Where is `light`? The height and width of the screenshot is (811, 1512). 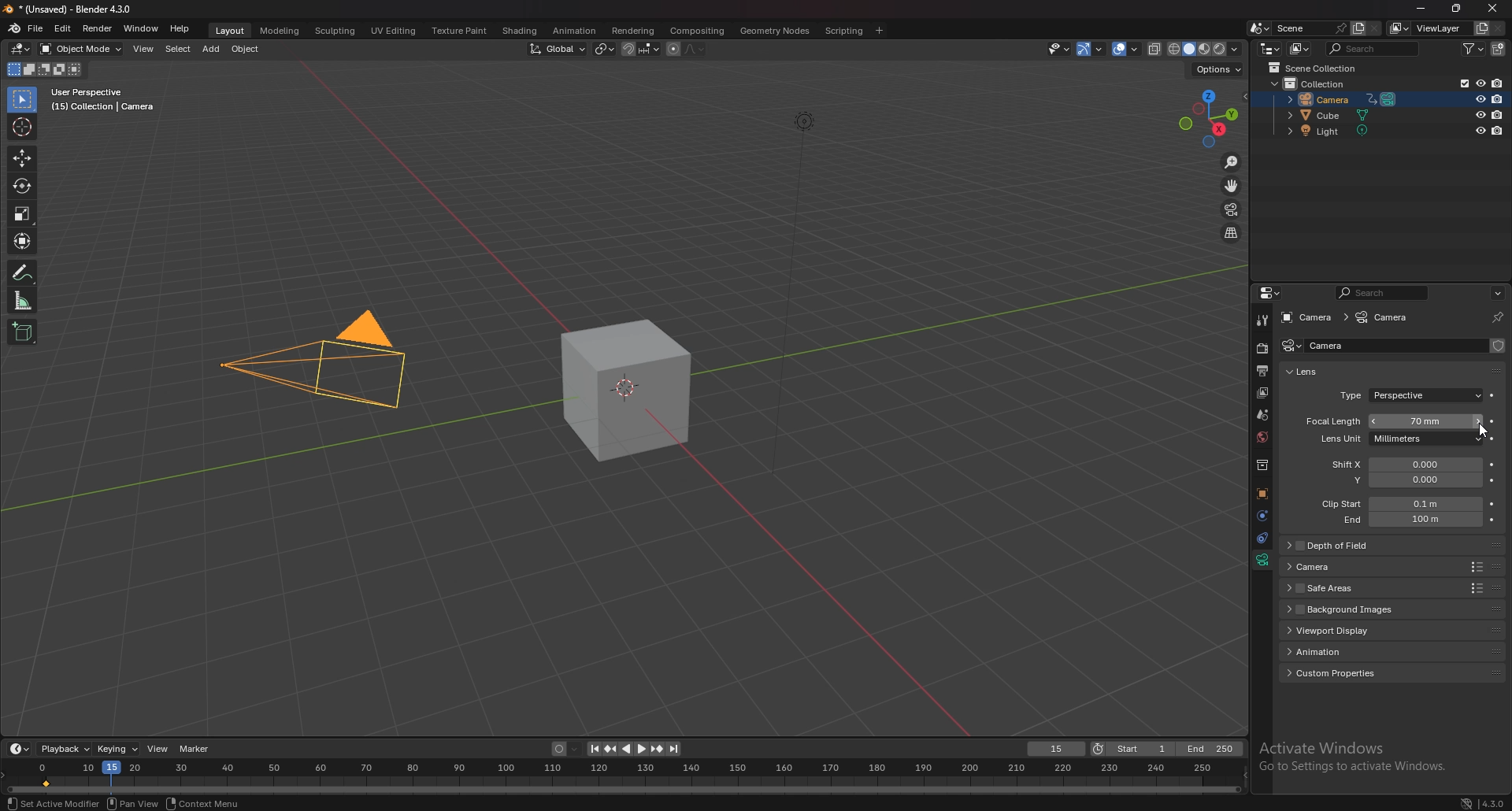
light is located at coordinates (1333, 132).